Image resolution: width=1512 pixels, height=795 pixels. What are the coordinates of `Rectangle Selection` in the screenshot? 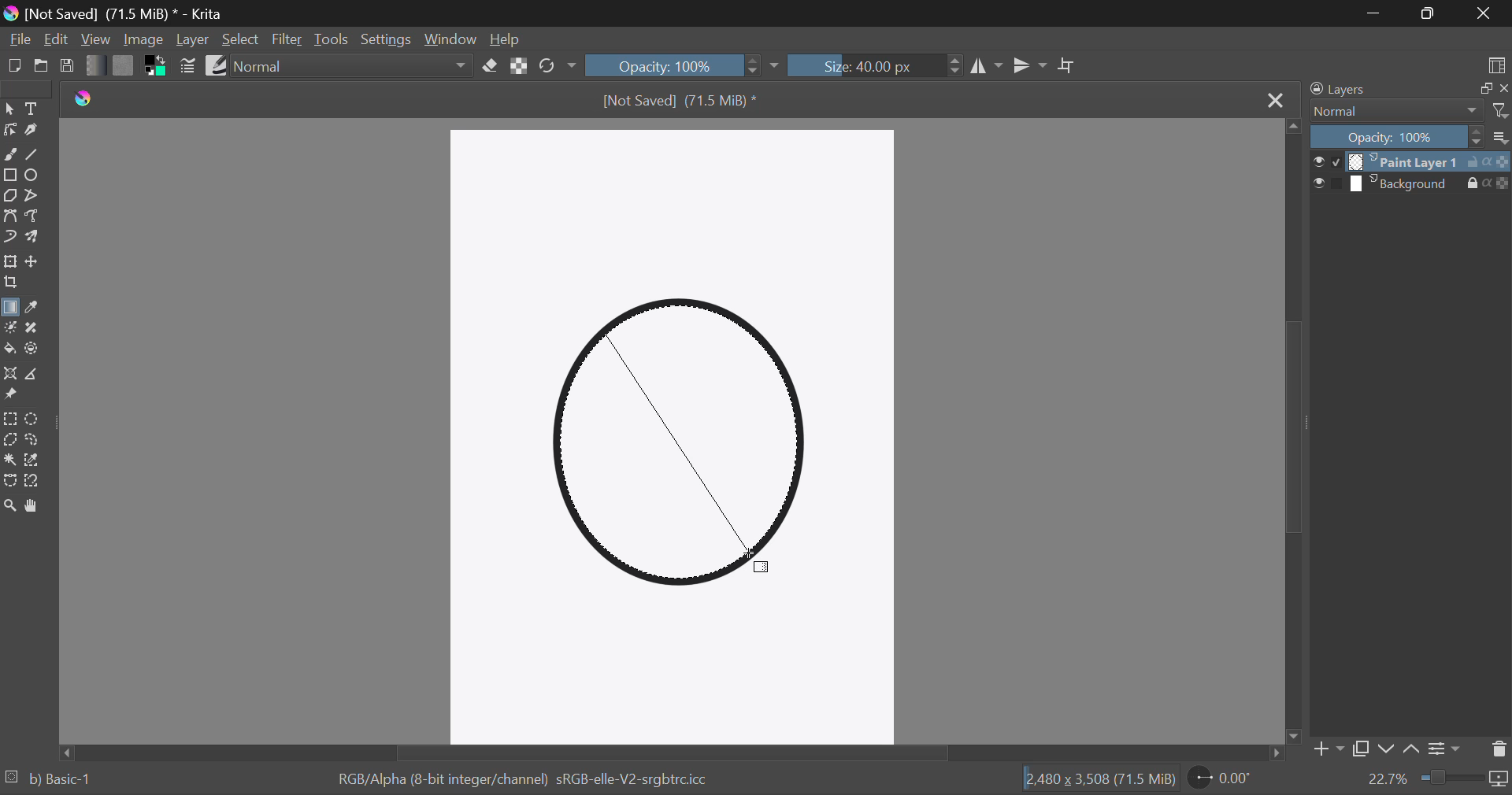 It's located at (13, 417).